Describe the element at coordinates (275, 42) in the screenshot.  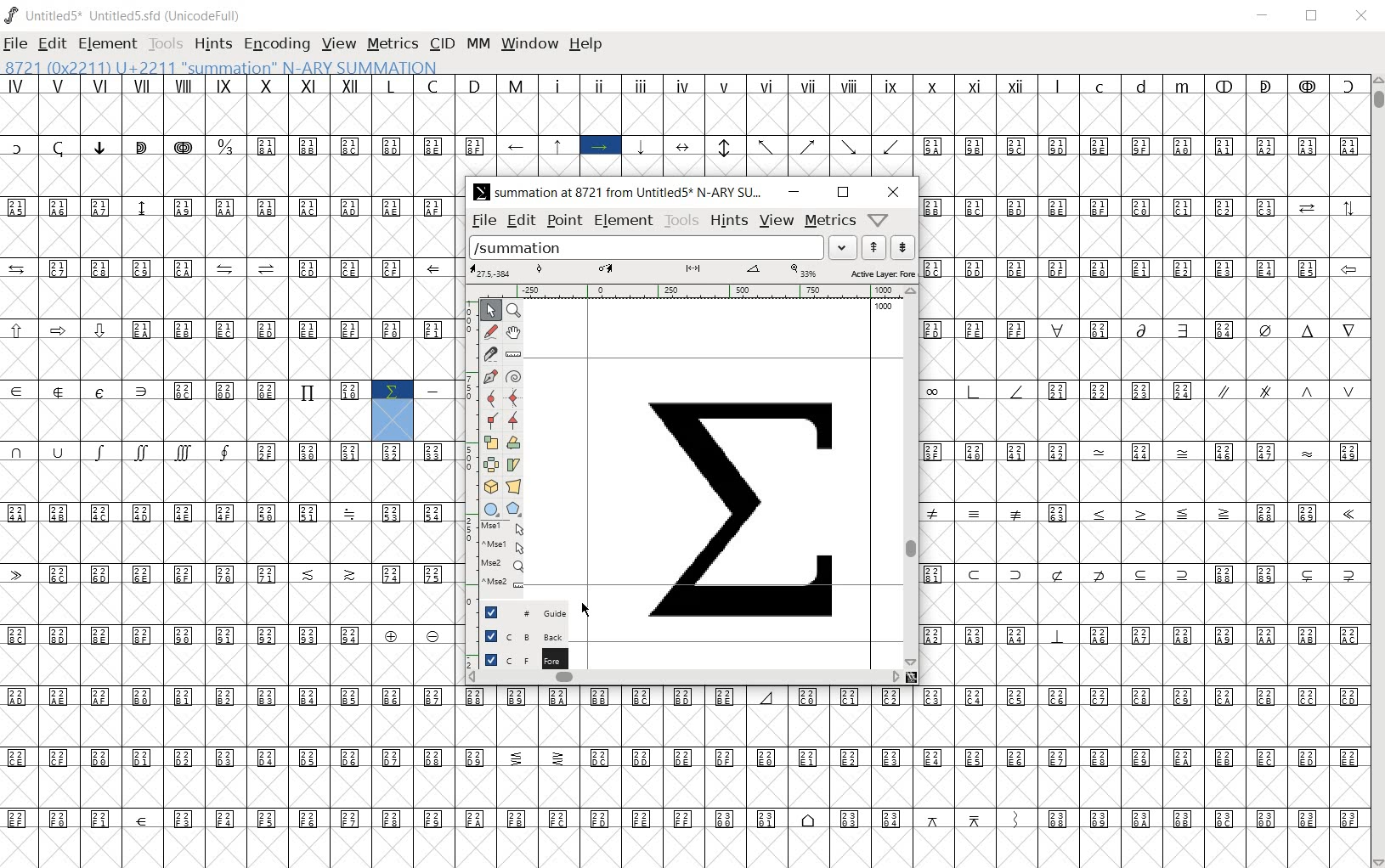
I see `ENCODING` at that location.